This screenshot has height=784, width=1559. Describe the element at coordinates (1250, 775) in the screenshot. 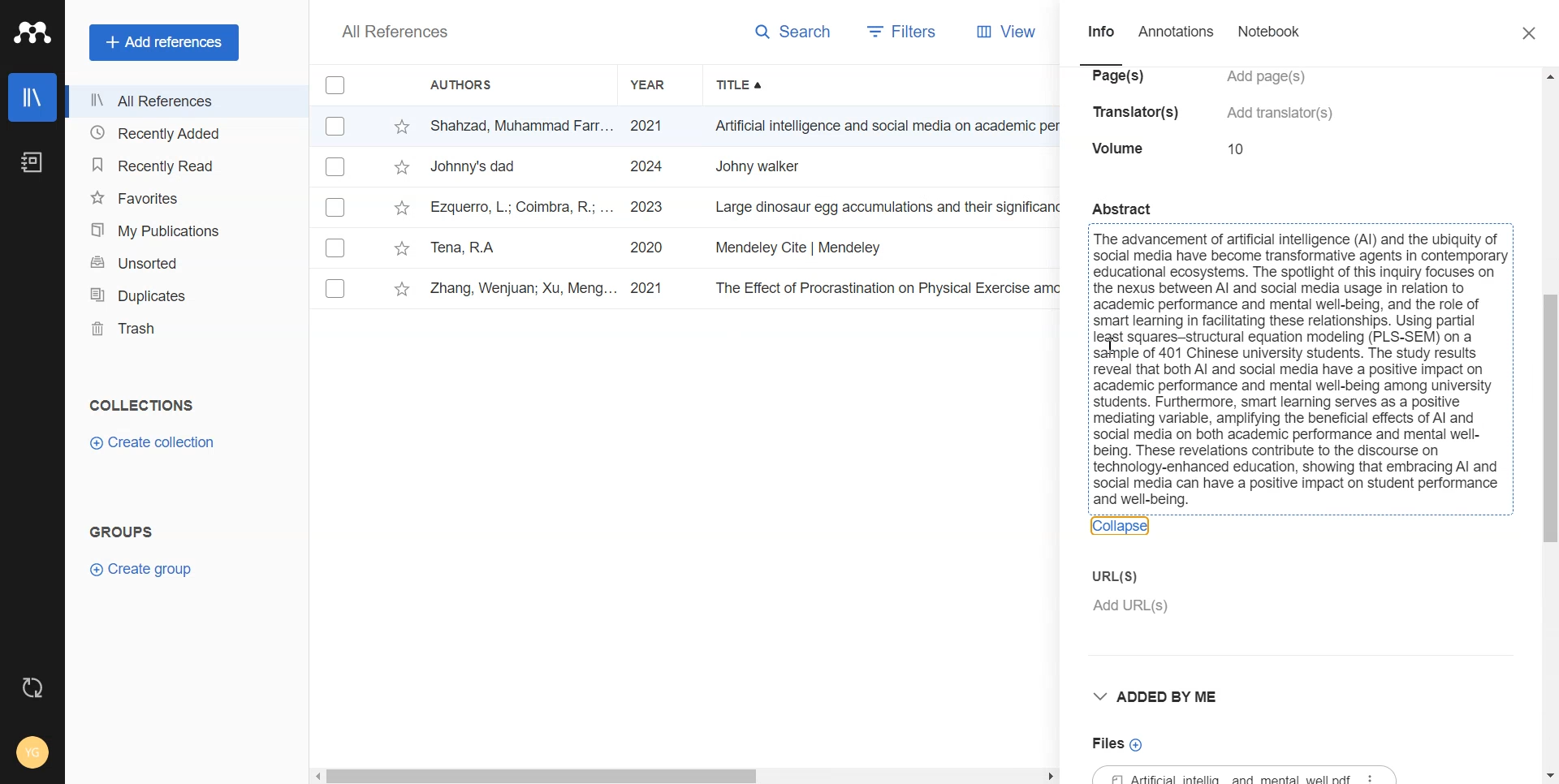

I see `File` at that location.